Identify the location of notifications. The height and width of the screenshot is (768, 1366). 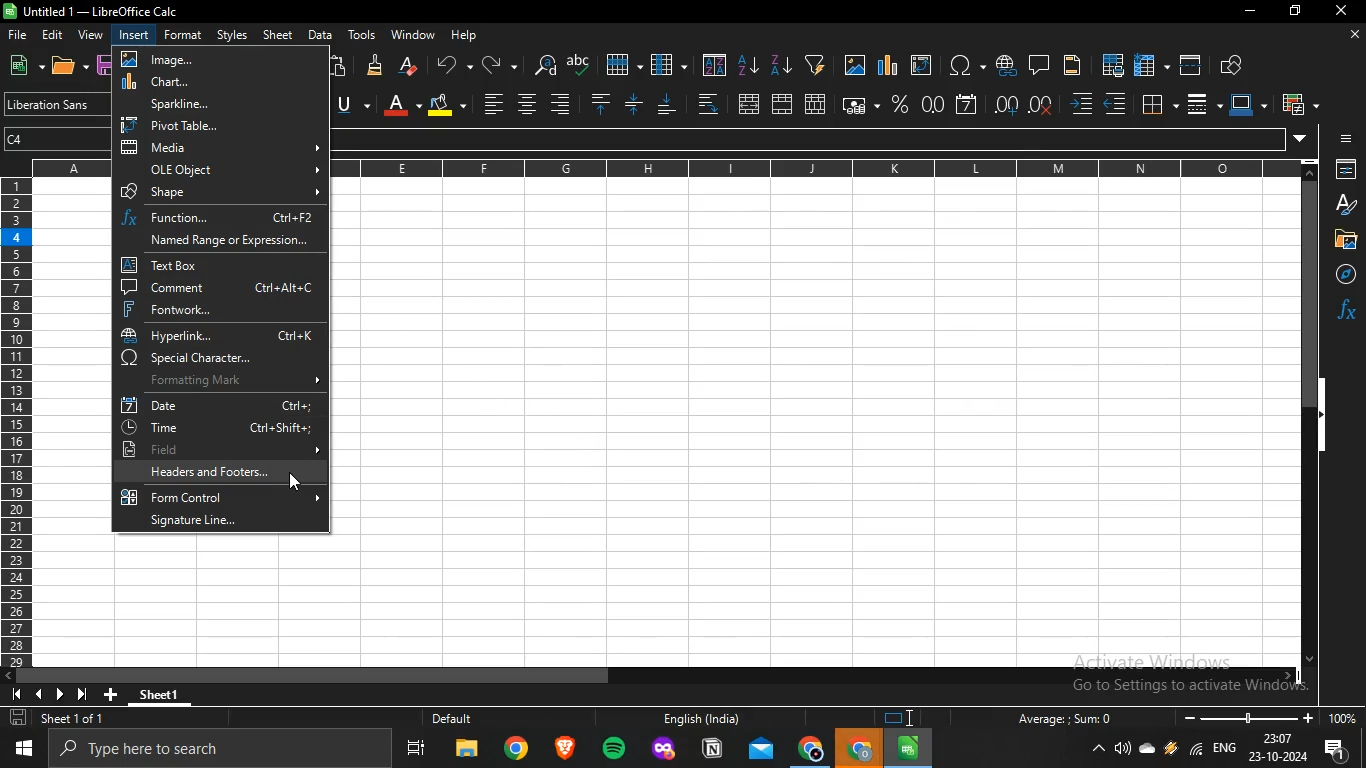
(1339, 752).